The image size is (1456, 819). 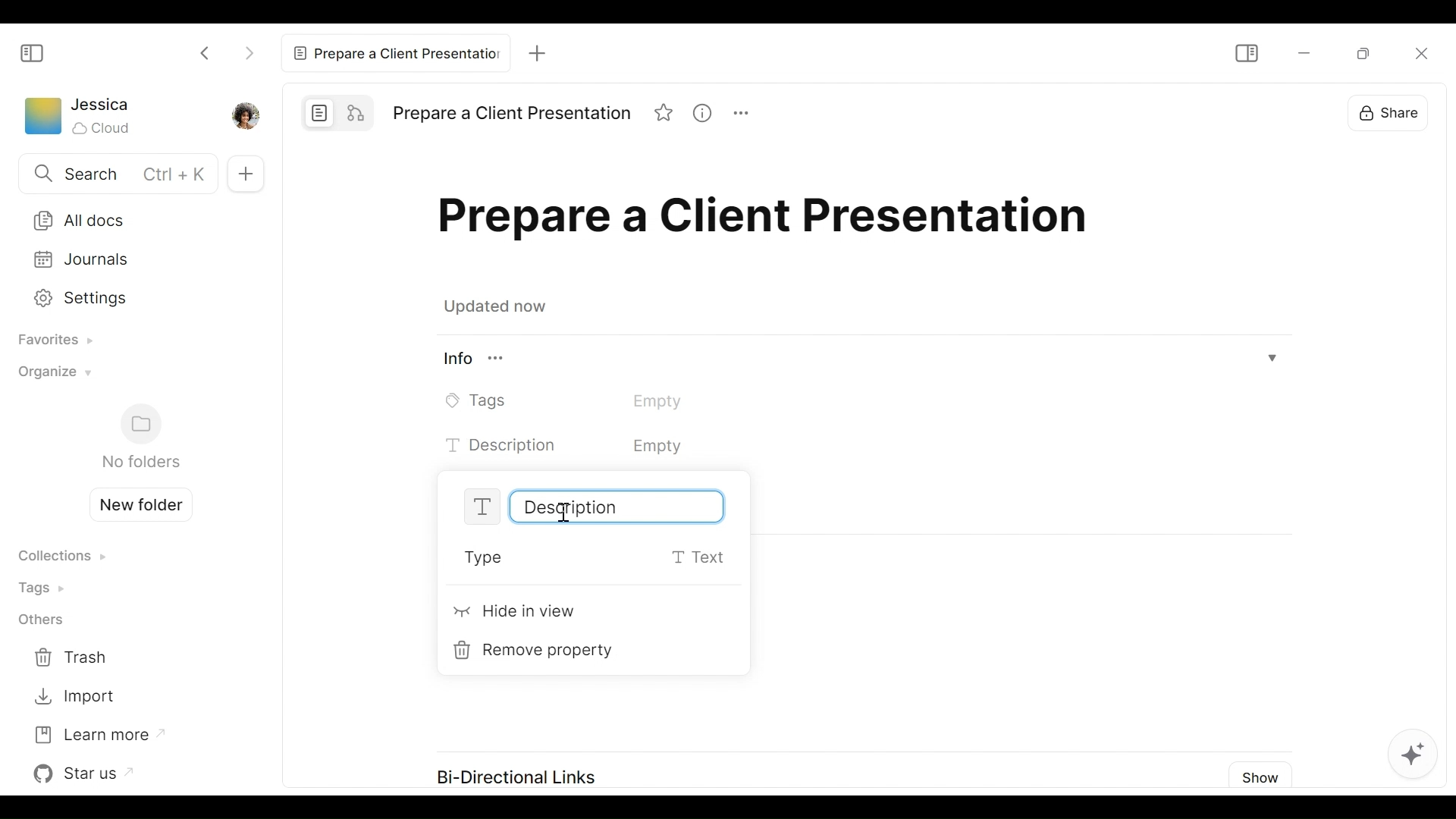 I want to click on New Tab, so click(x=532, y=49).